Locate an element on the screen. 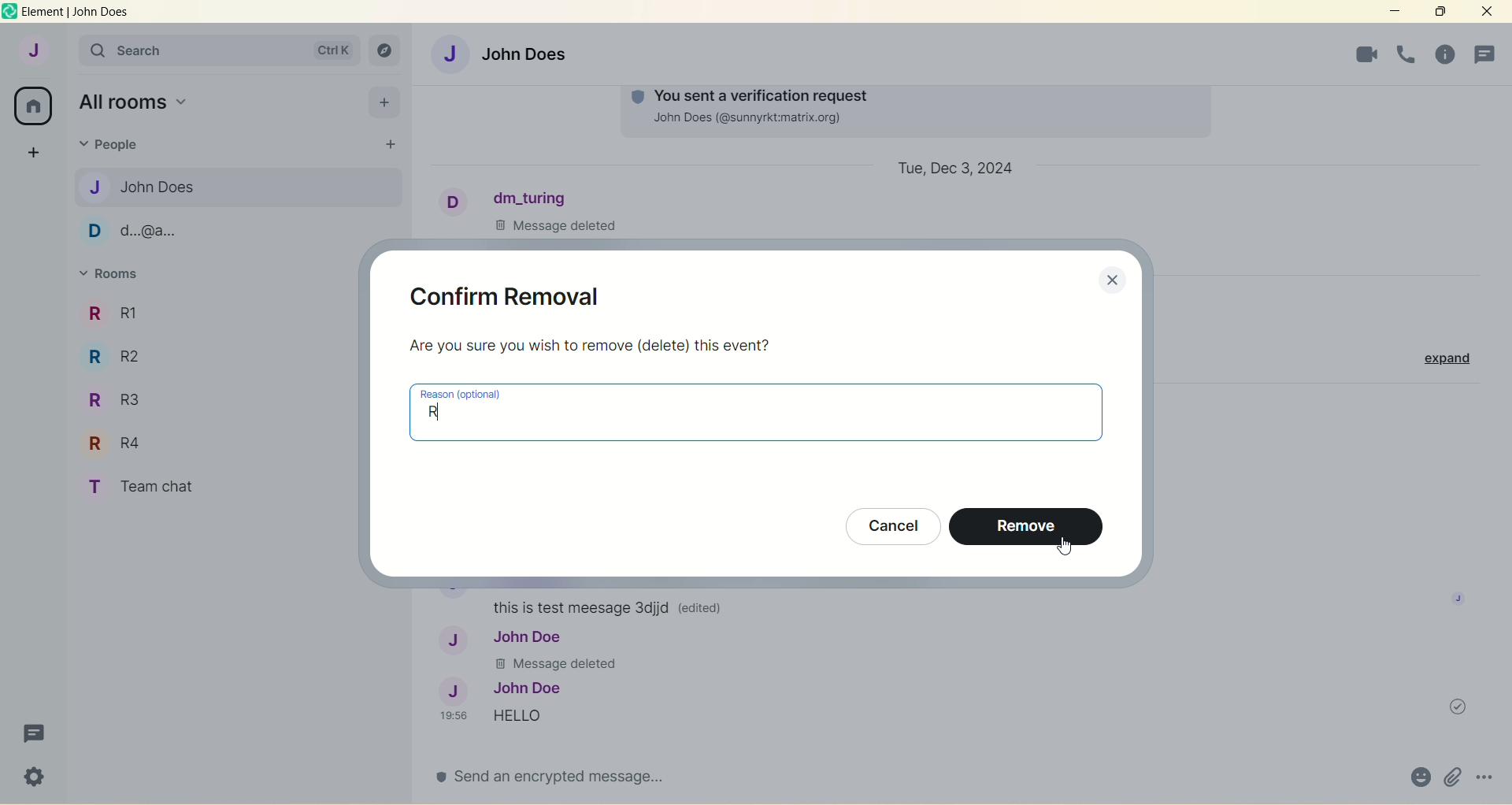  John Does is located at coordinates (148, 187).